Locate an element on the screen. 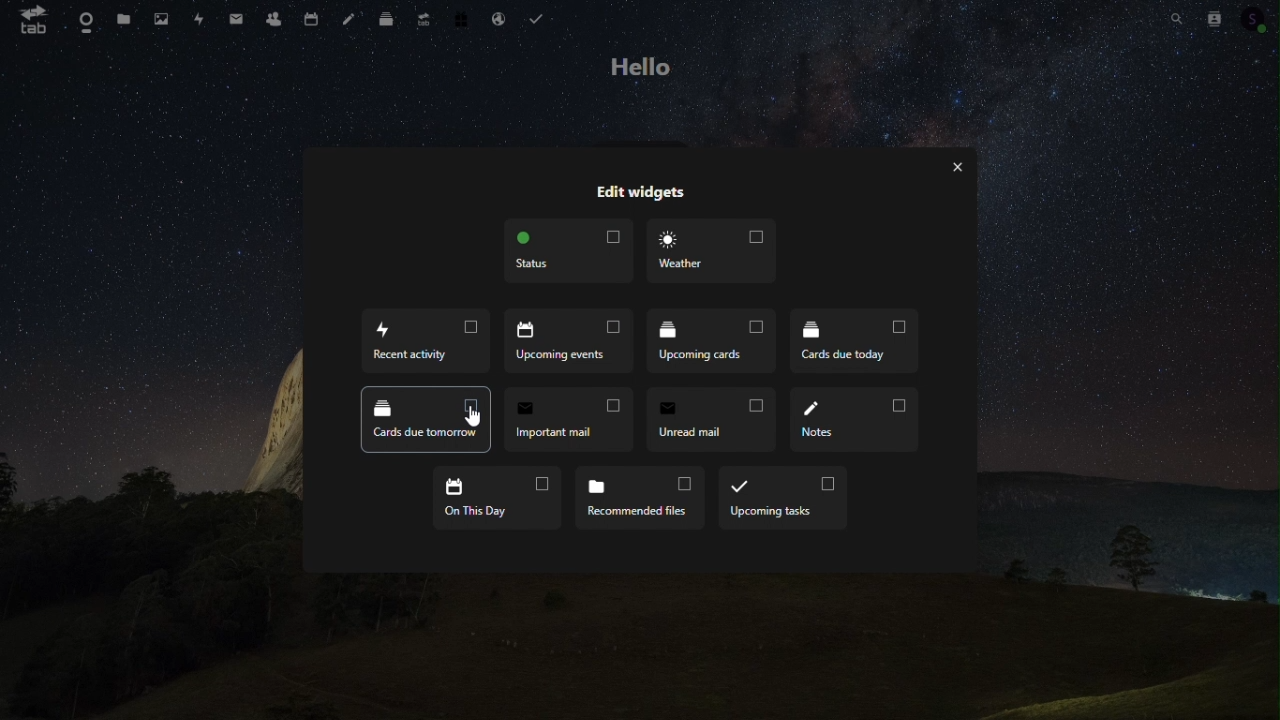 This screenshot has height=720, width=1280. cursor is located at coordinates (473, 419).